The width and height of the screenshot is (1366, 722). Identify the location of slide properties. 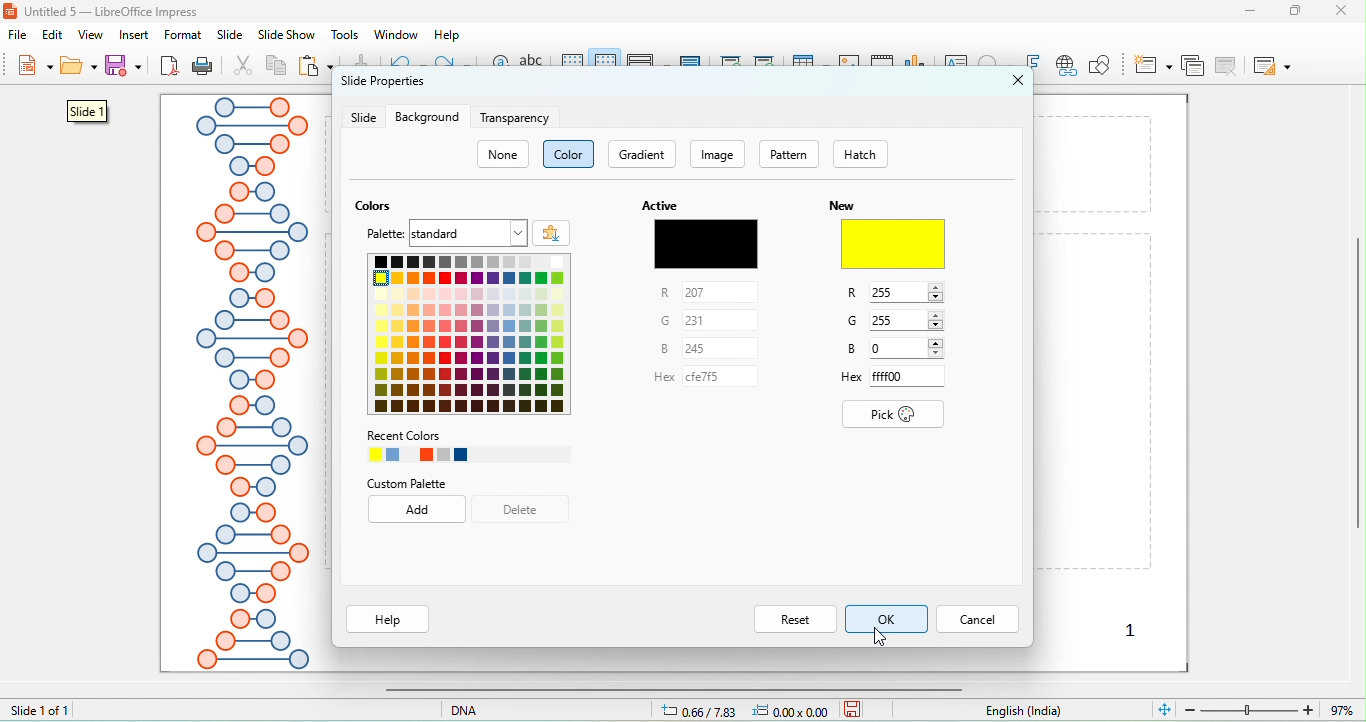
(382, 86).